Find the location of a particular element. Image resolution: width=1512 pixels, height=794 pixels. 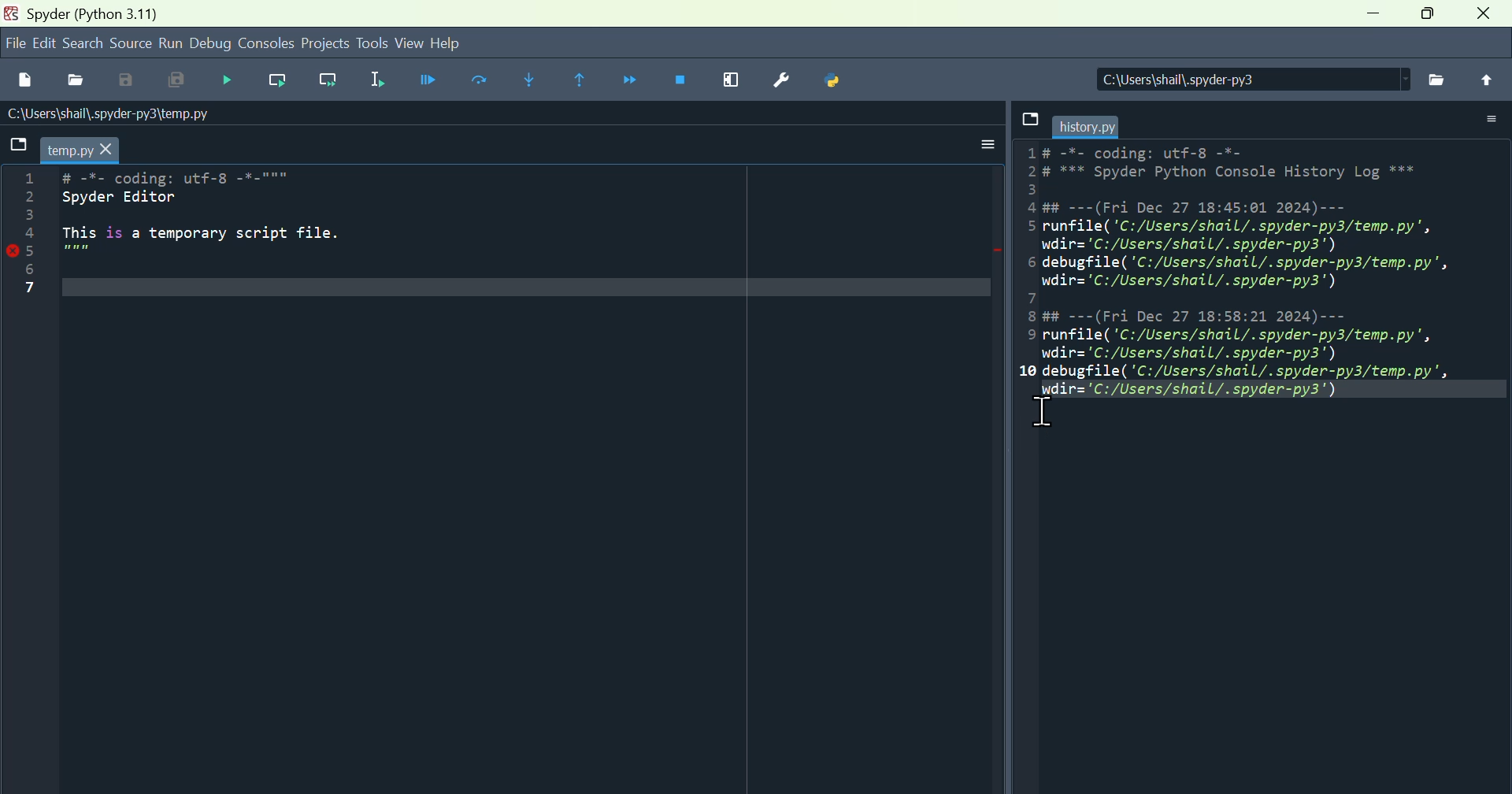

File upload is located at coordinates (1490, 78).